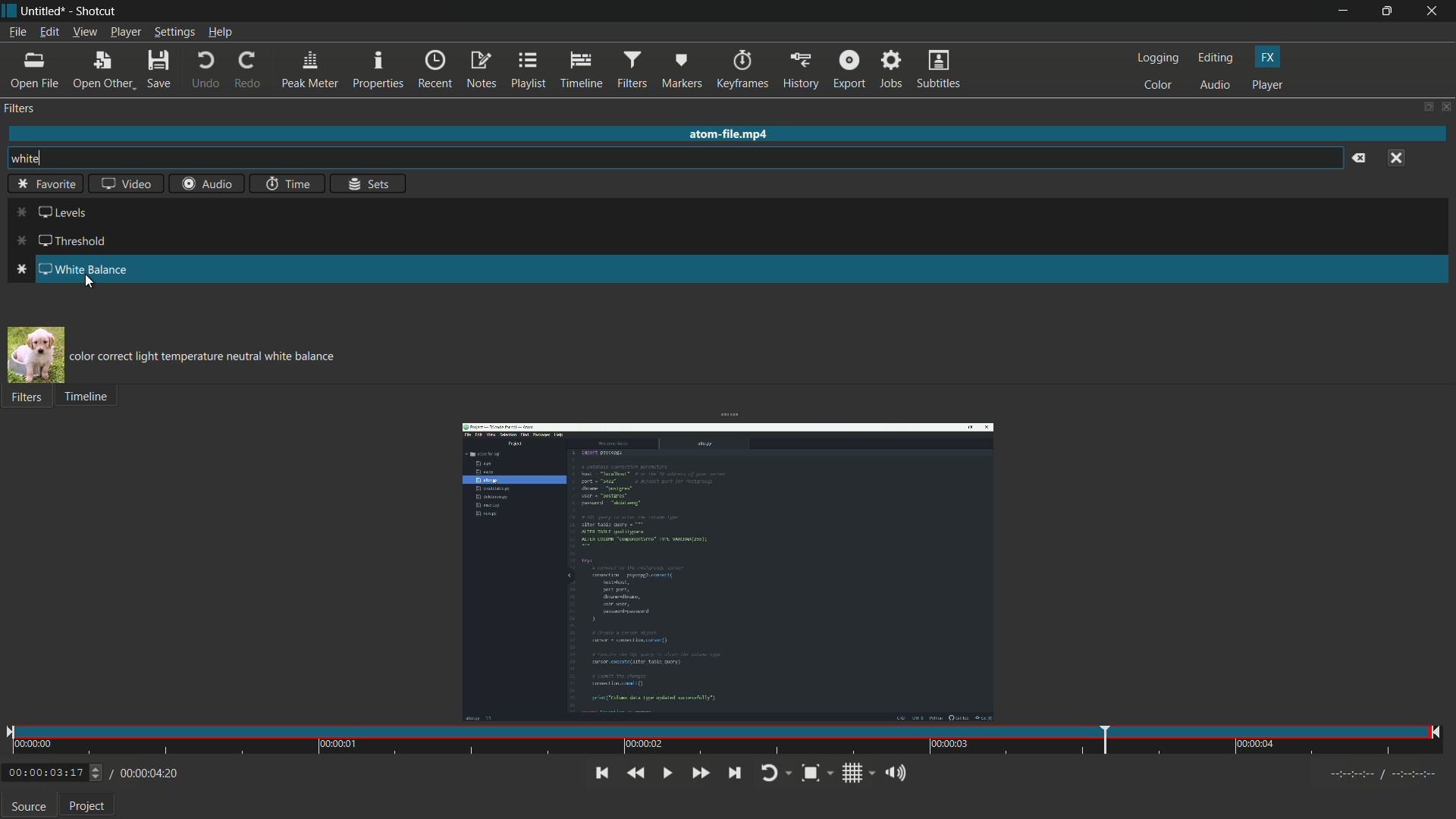 This screenshot has height=819, width=1456. What do you see at coordinates (249, 67) in the screenshot?
I see `redo` at bounding box center [249, 67].